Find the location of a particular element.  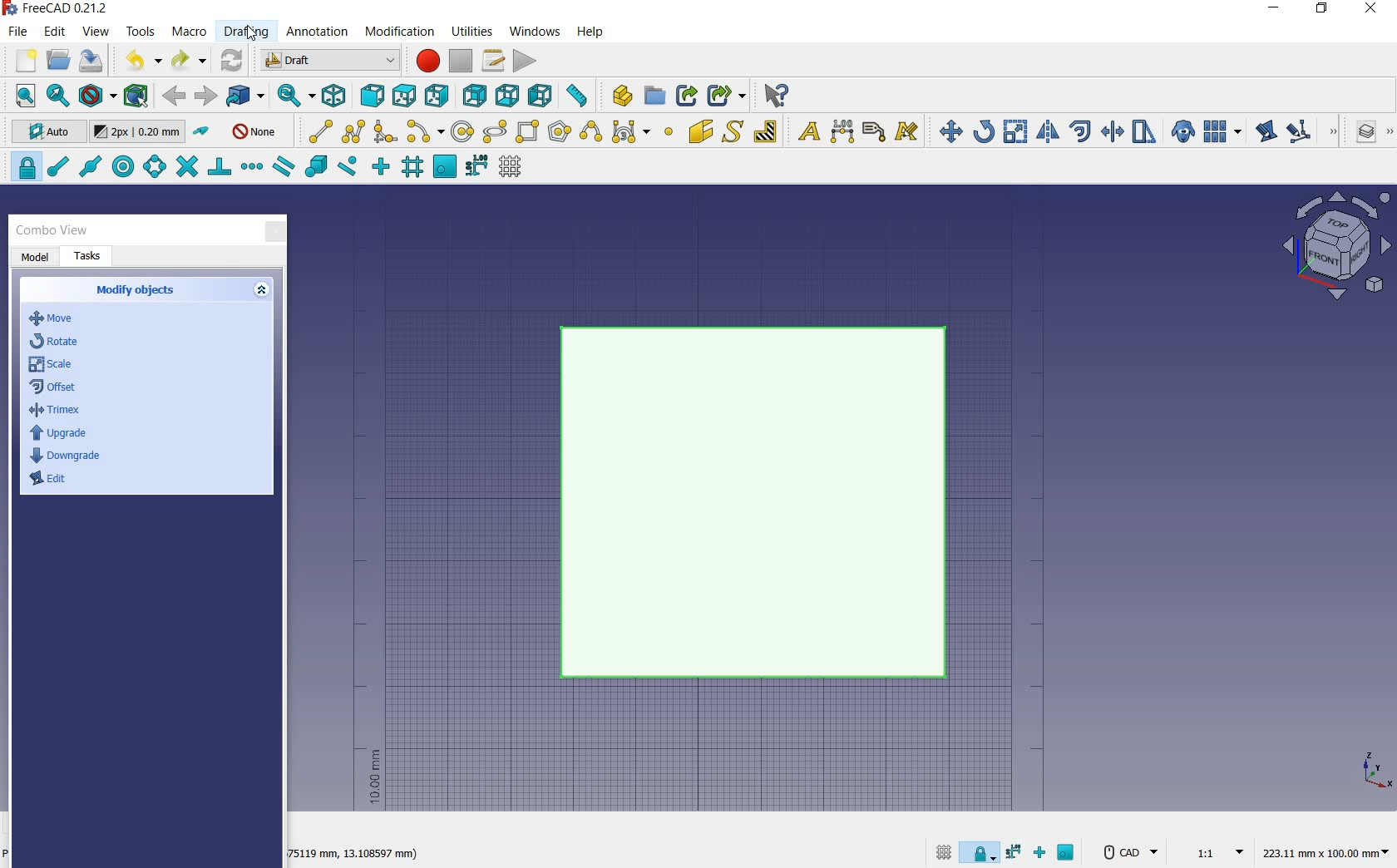

create objects is located at coordinates (138, 291).